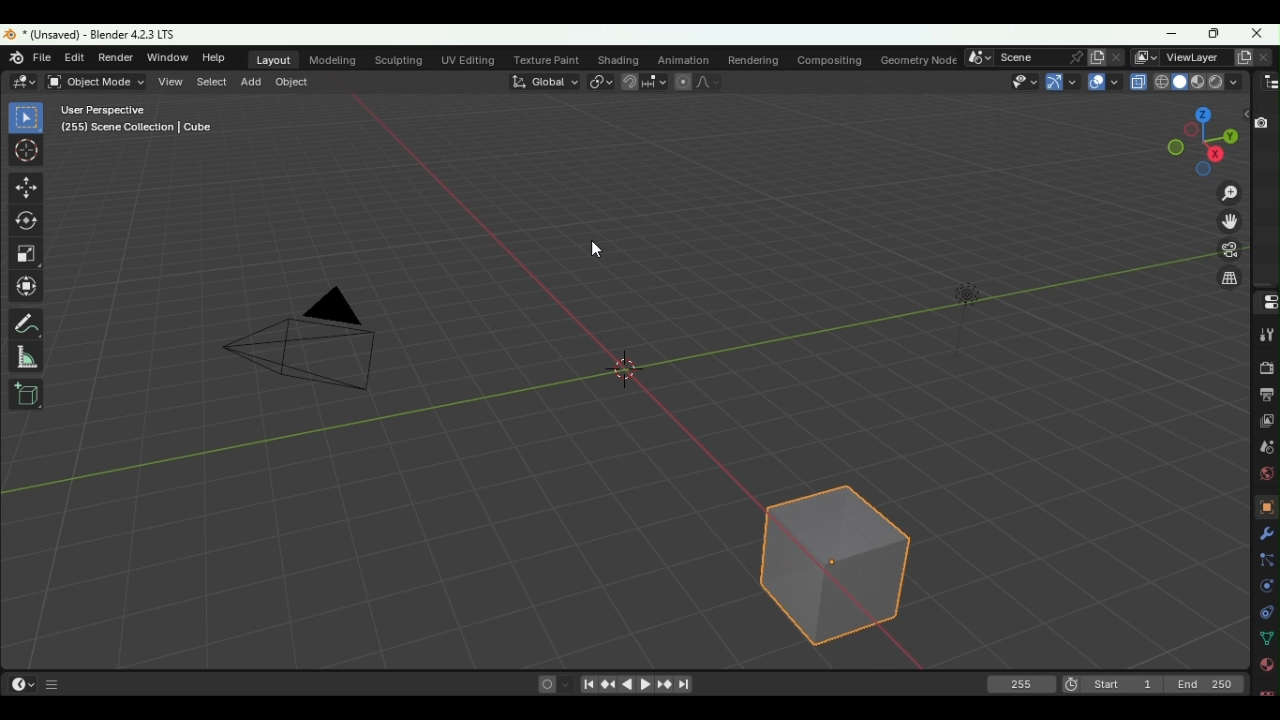 The width and height of the screenshot is (1280, 720). I want to click on Viewport shading: Material preview, so click(1198, 82).